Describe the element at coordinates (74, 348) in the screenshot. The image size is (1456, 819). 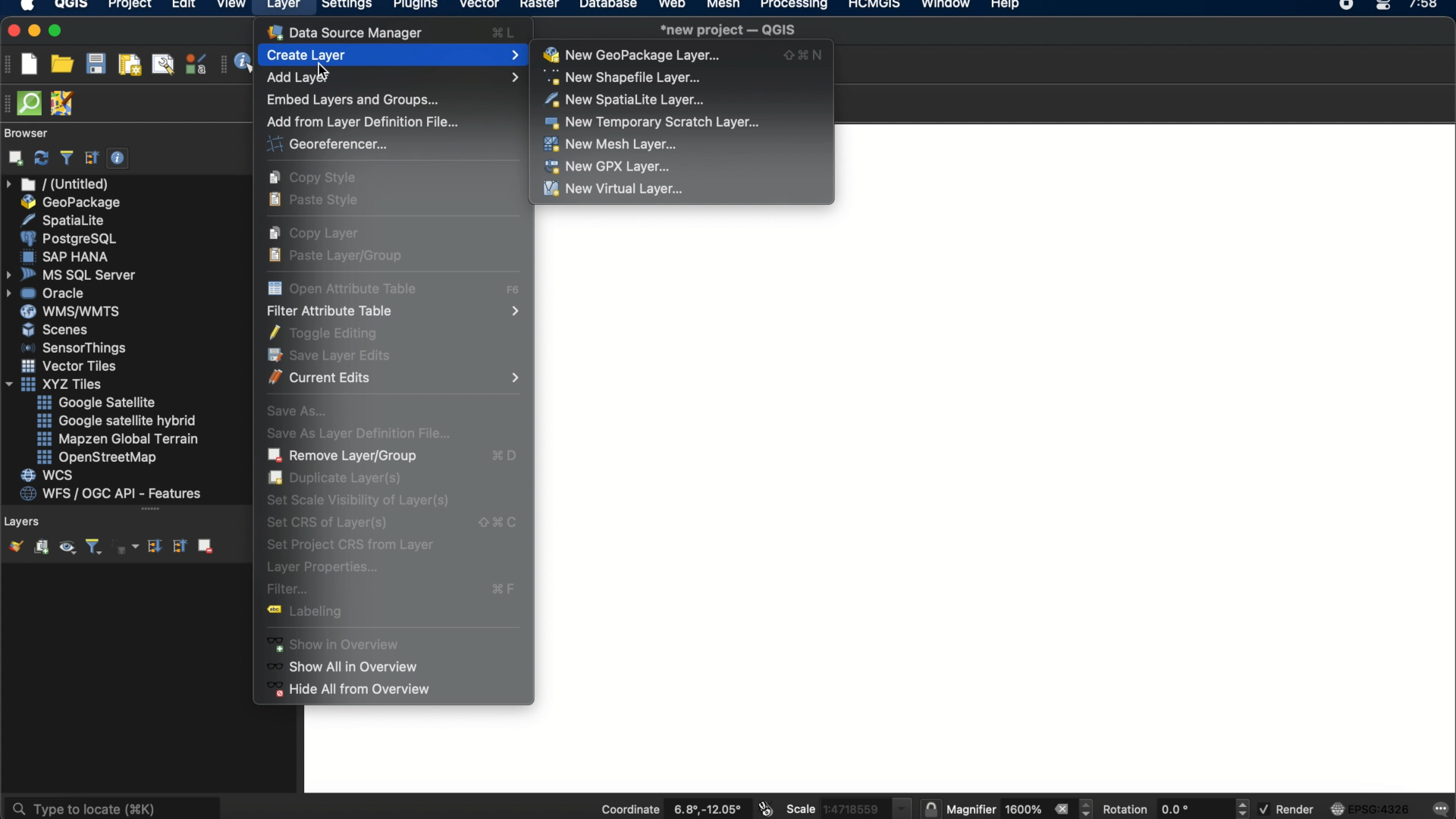
I see `sensorthings` at that location.